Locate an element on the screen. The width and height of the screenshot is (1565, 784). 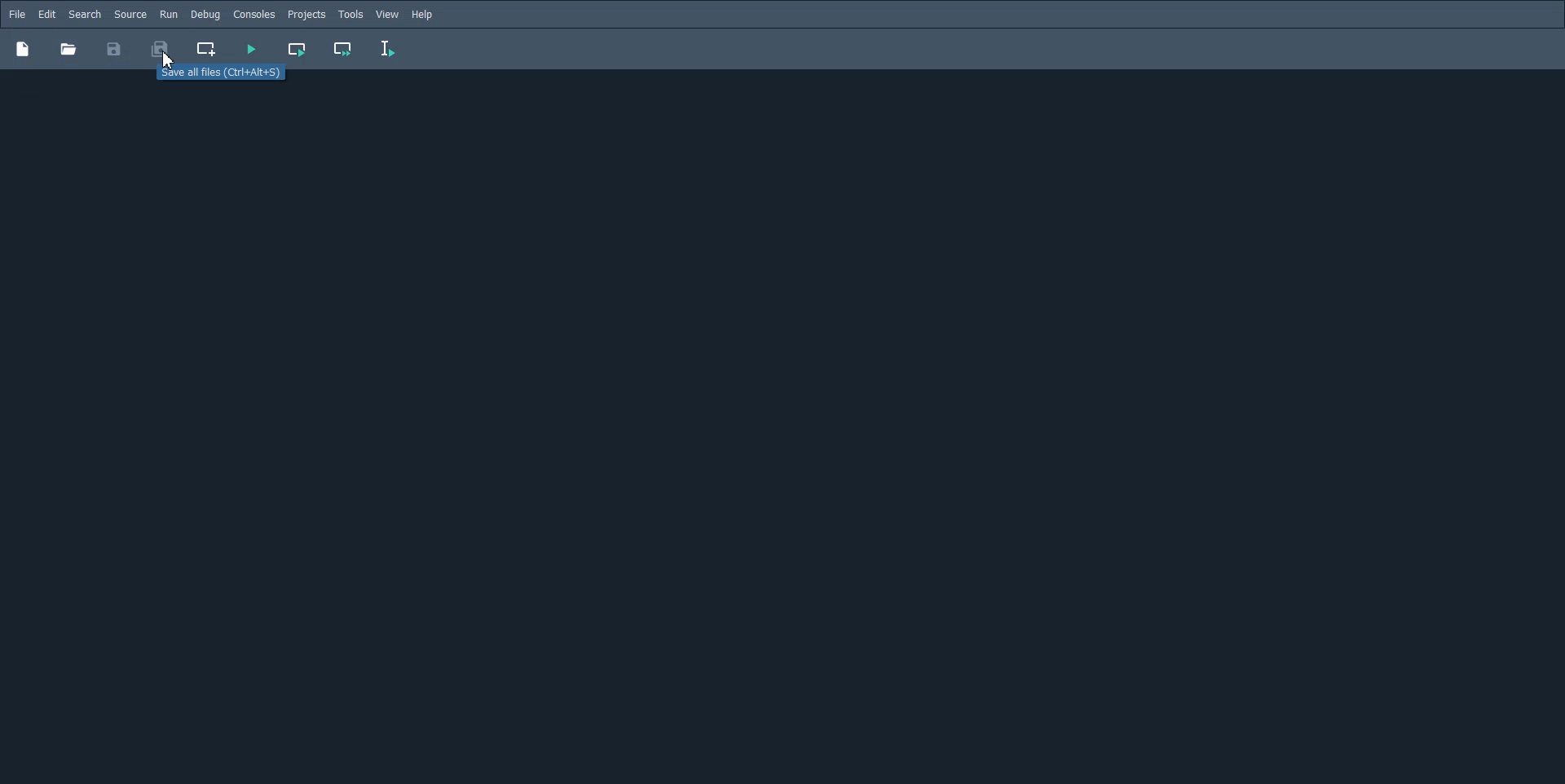
 is located at coordinates (68, 49).